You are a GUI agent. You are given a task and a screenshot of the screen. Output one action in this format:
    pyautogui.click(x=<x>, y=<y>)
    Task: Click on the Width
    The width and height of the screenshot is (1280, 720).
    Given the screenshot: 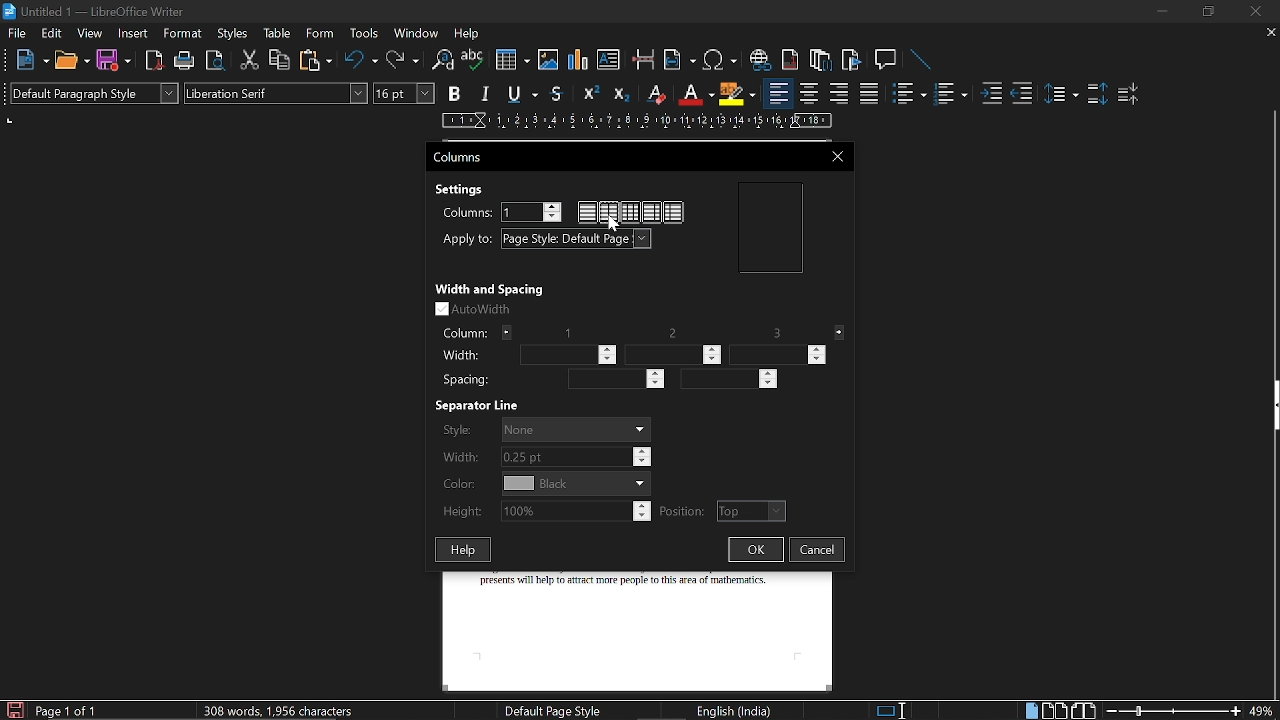 What is the action you would take?
    pyautogui.click(x=461, y=355)
    